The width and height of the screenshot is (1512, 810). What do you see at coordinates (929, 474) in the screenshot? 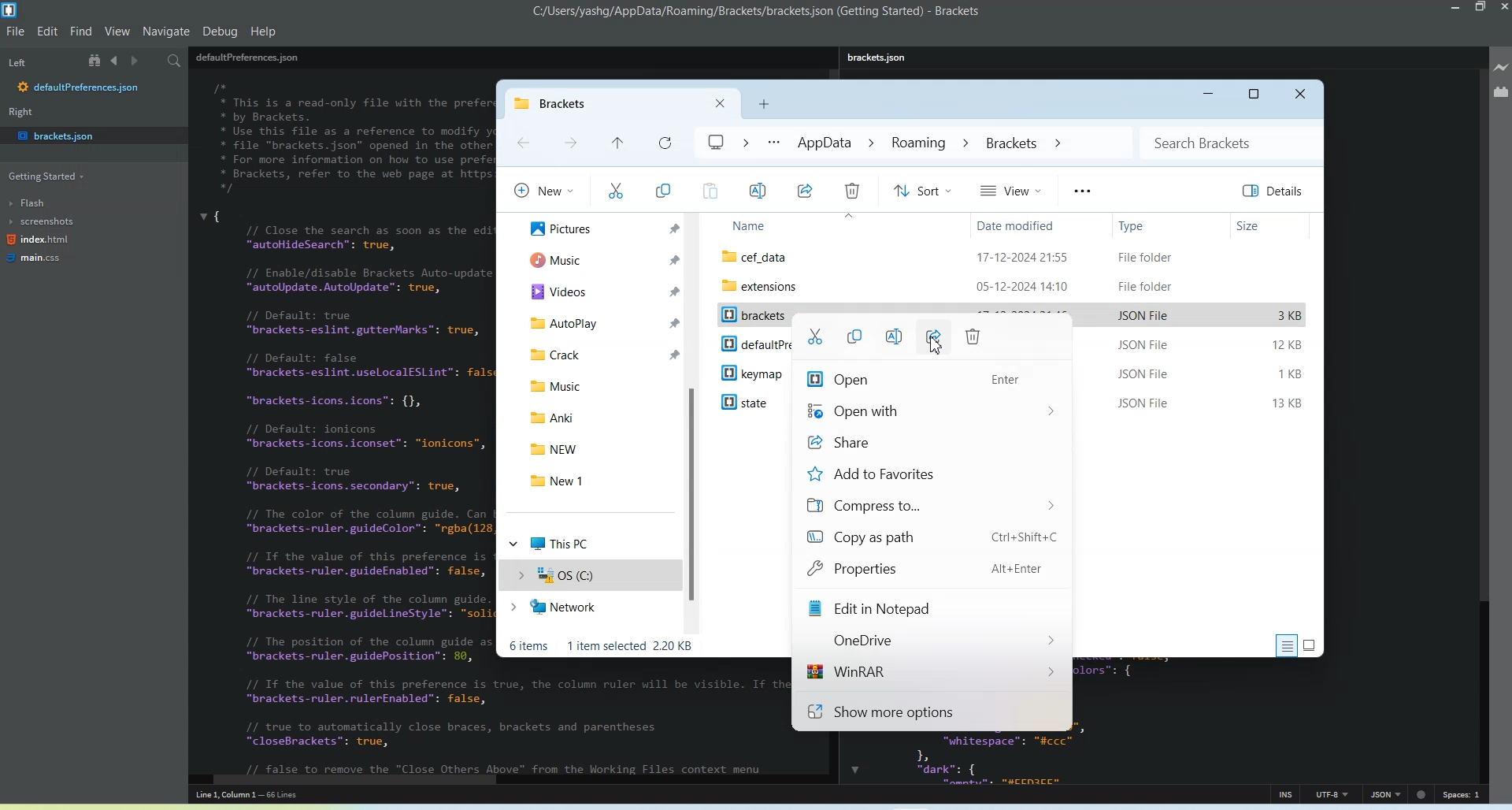
I see `Add to Favorites` at bounding box center [929, 474].